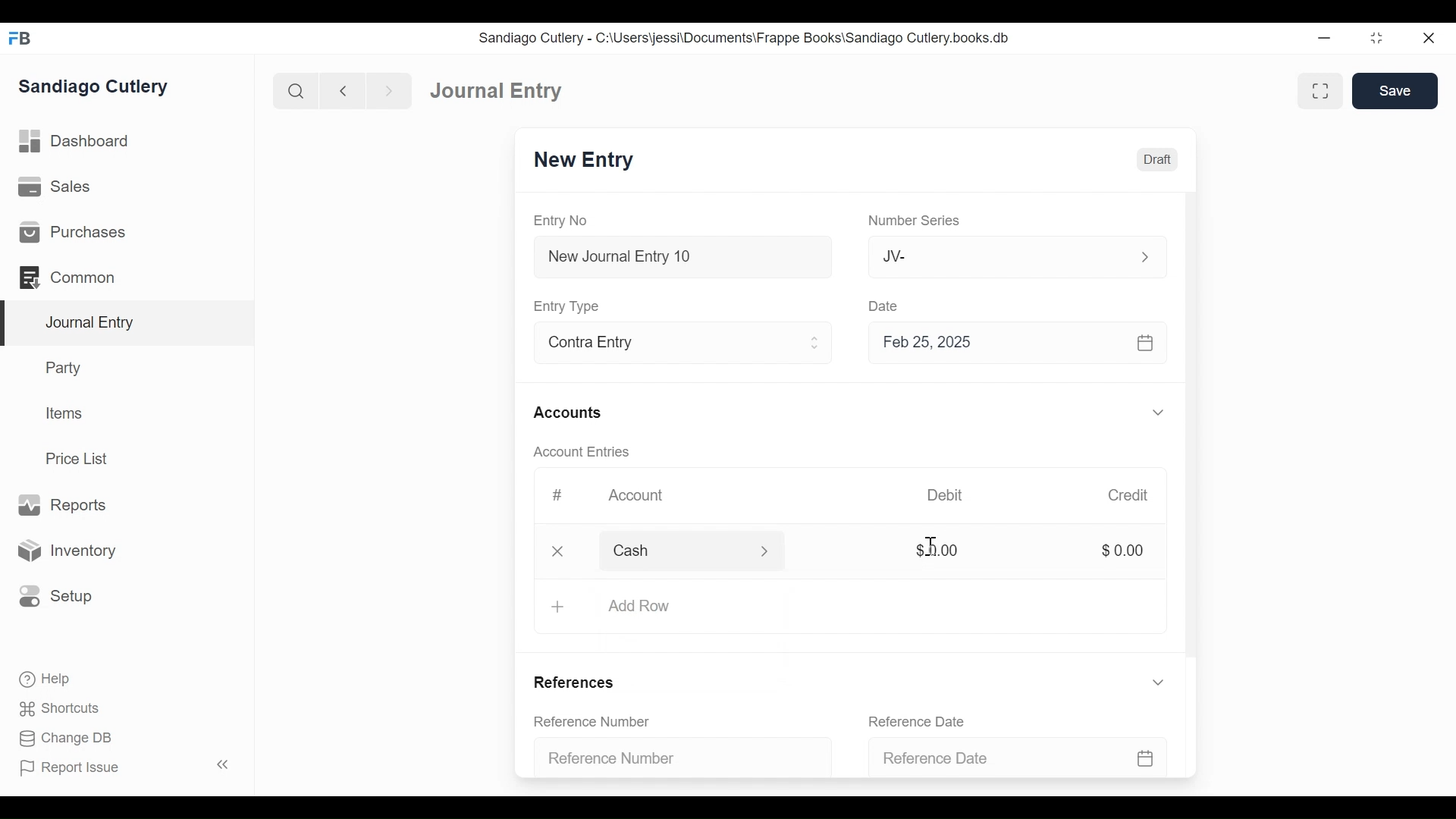  Describe the element at coordinates (80, 458) in the screenshot. I see `Price List` at that location.